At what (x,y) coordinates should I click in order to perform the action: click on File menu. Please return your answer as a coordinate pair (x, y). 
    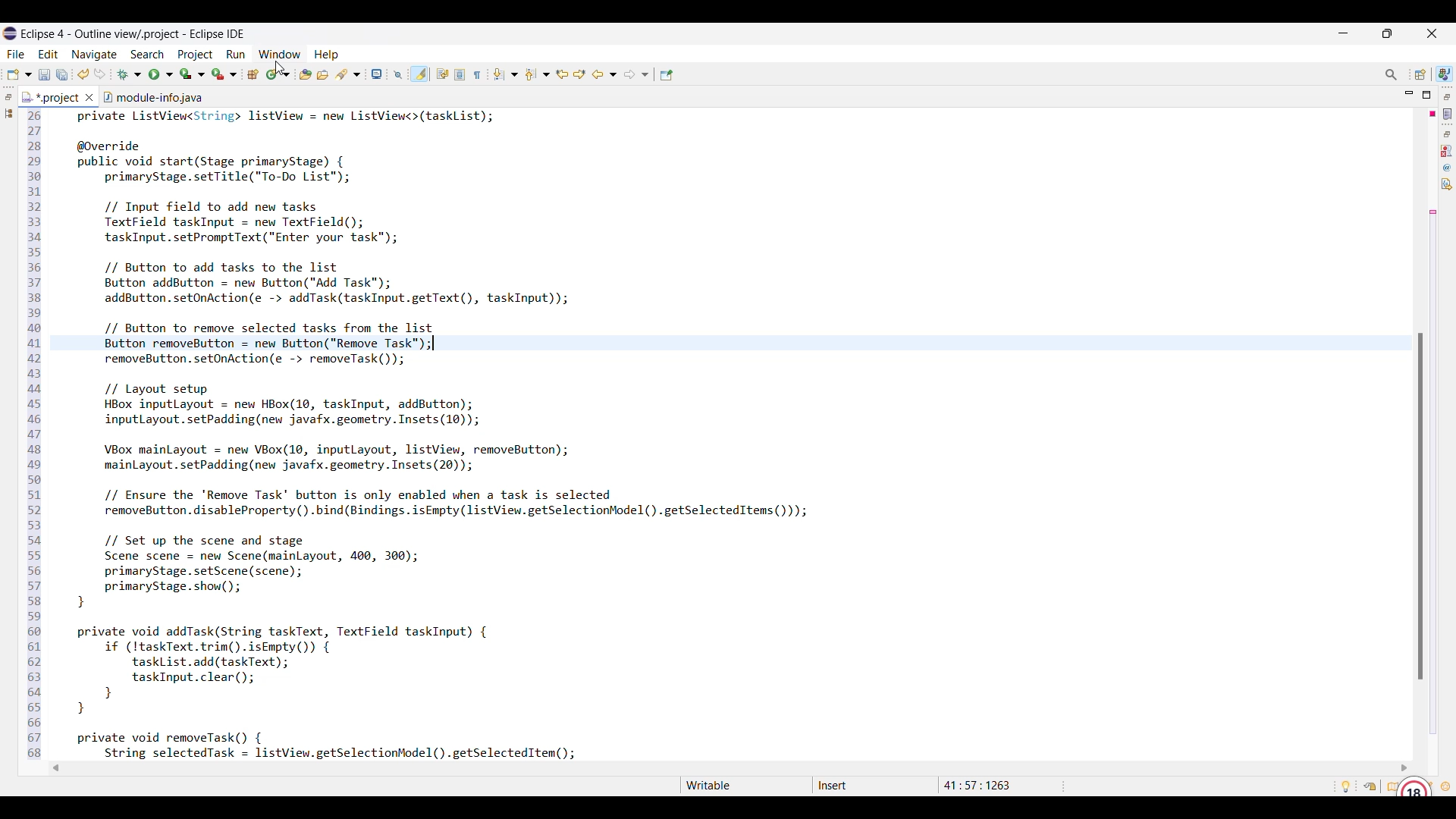
    Looking at the image, I should click on (15, 55).